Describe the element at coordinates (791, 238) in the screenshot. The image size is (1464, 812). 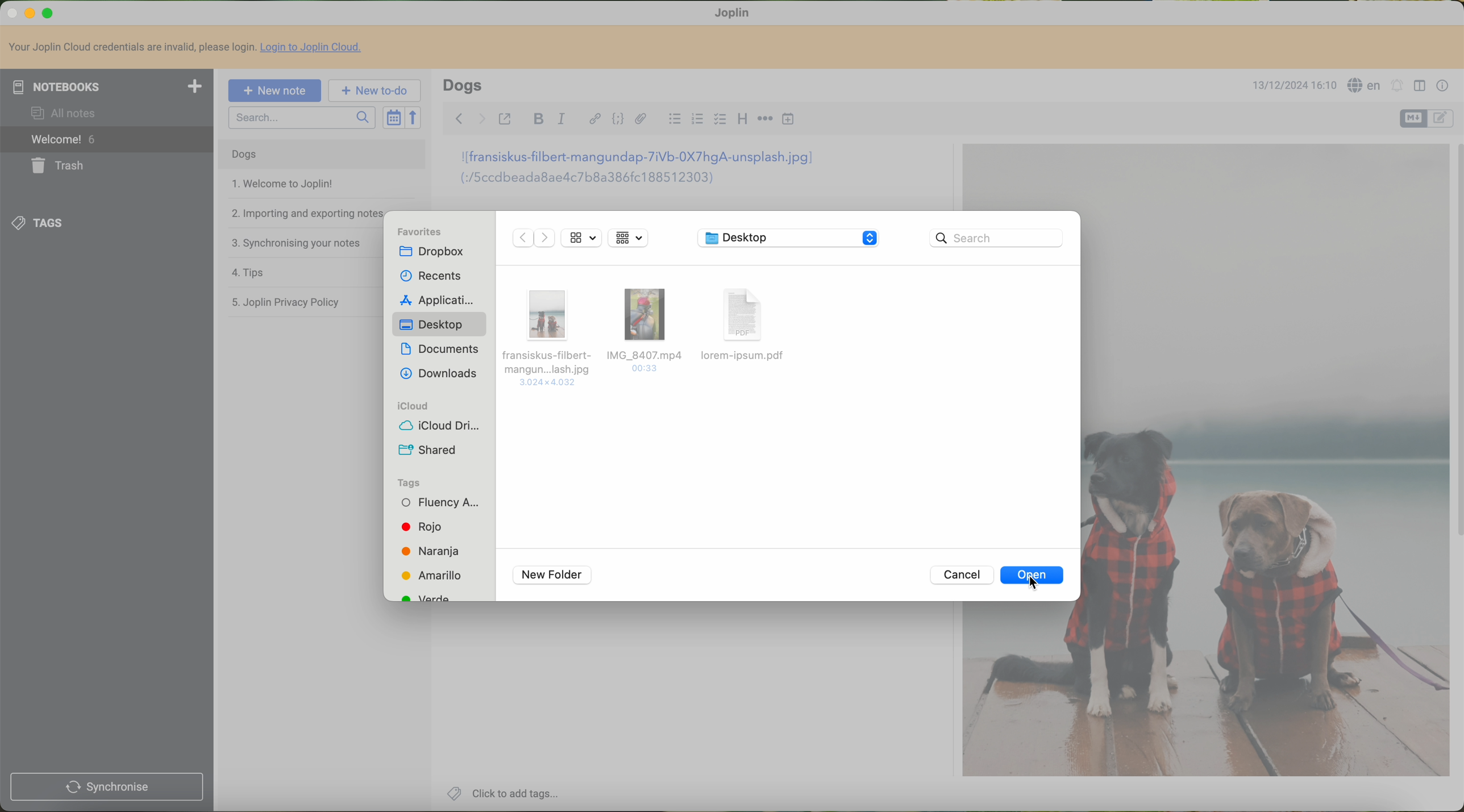
I see `location` at that location.